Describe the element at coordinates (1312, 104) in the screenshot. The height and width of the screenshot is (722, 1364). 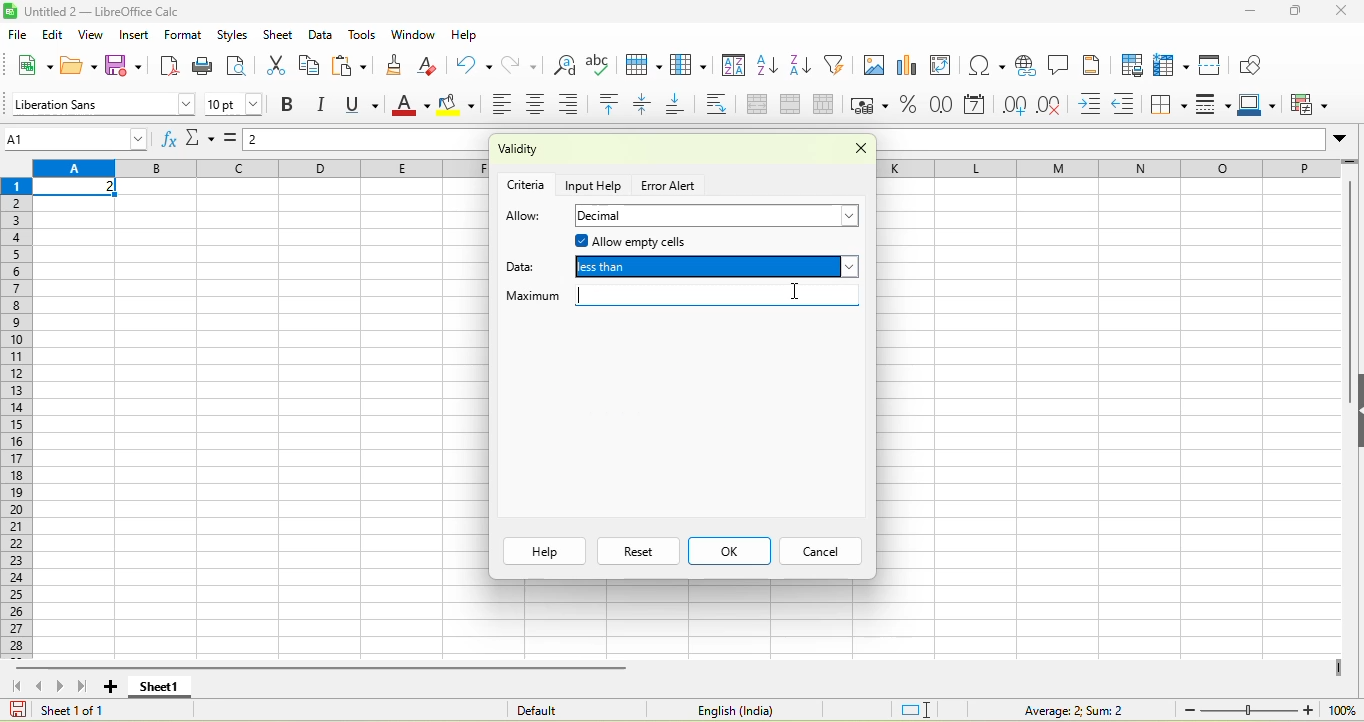
I see `conditional` at that location.